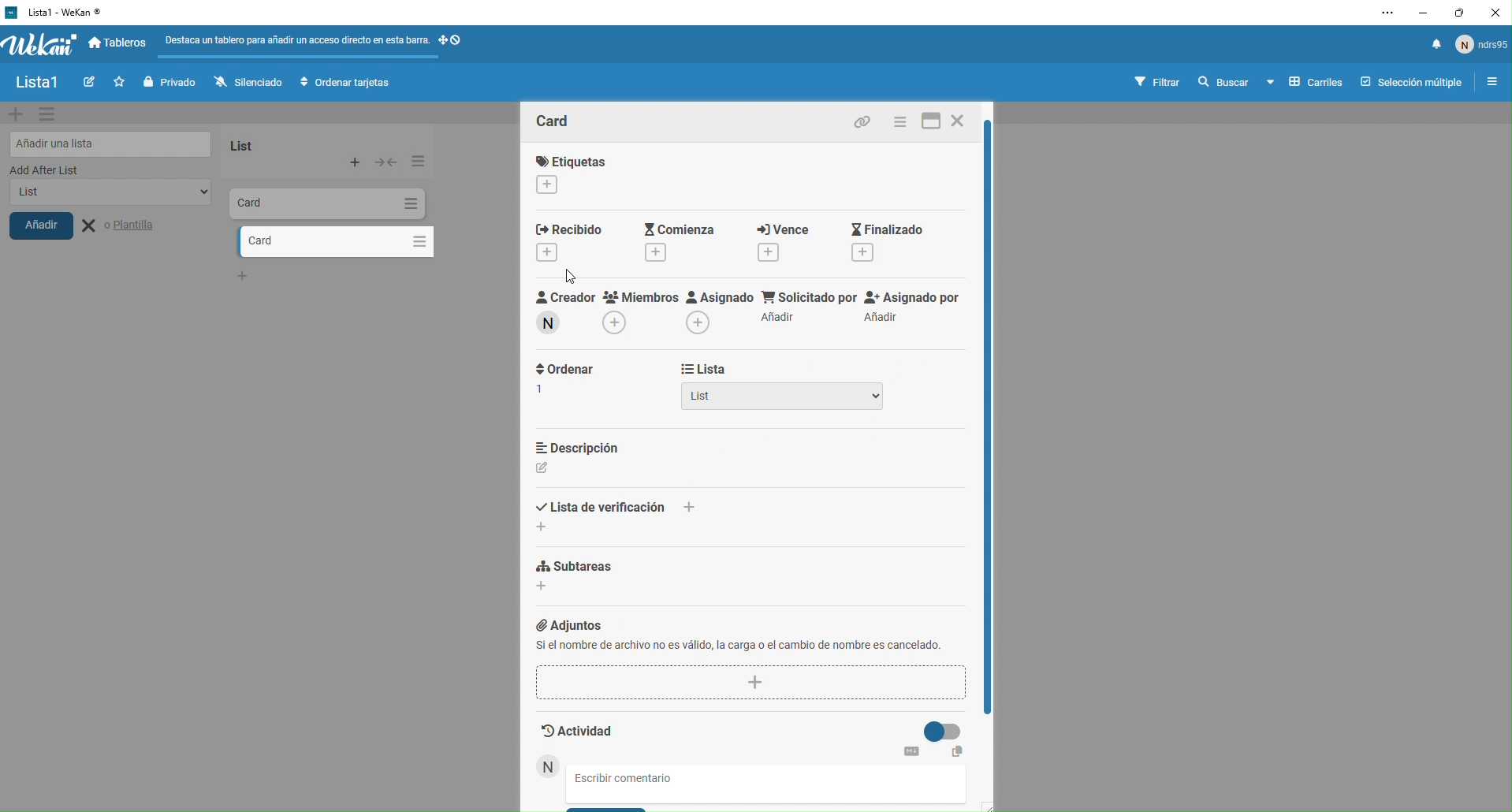 Image resolution: width=1512 pixels, height=812 pixels. I want to click on Vertical Scroll bar, so click(988, 418).